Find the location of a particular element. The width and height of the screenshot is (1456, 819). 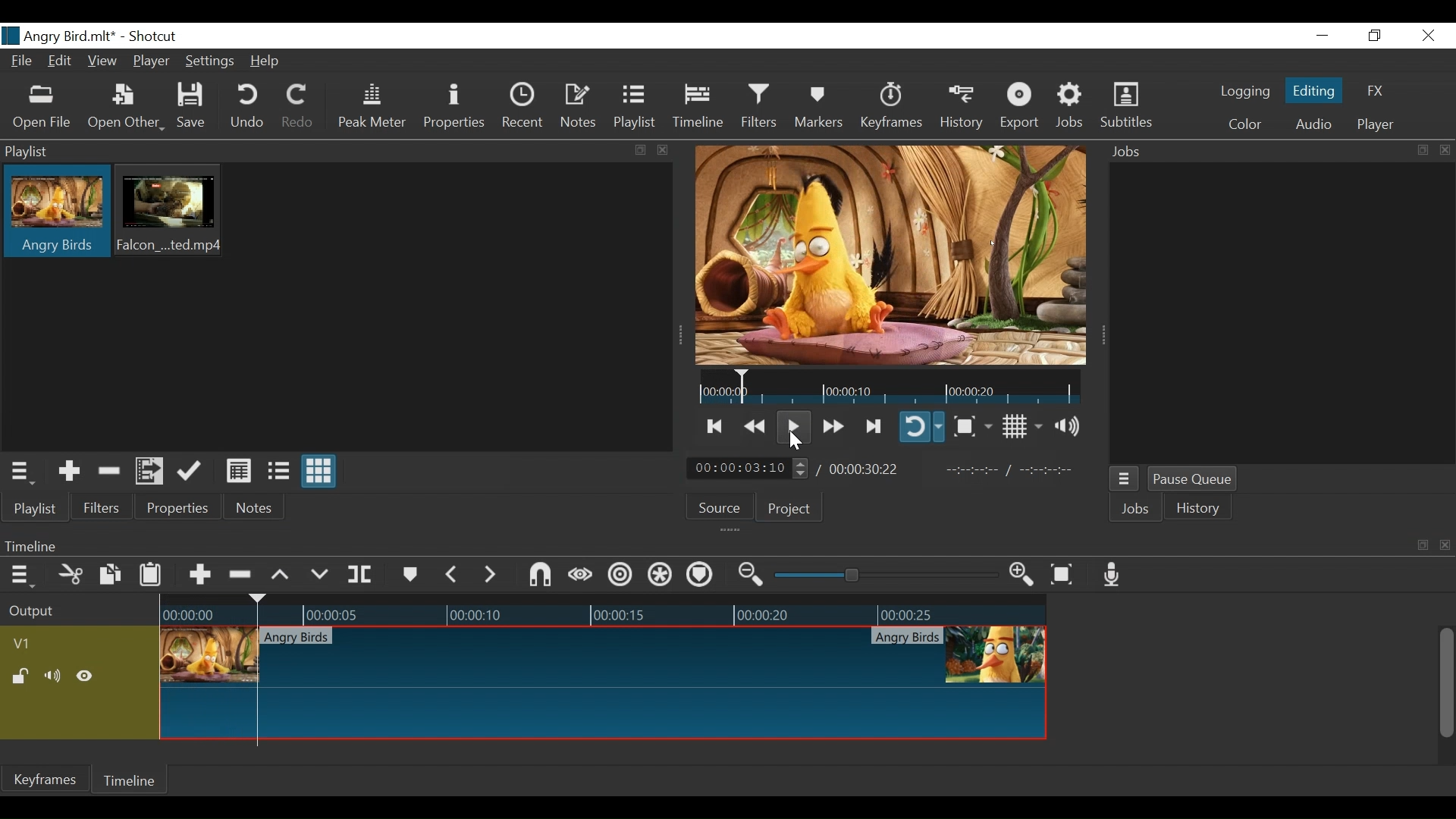

View is located at coordinates (102, 61).